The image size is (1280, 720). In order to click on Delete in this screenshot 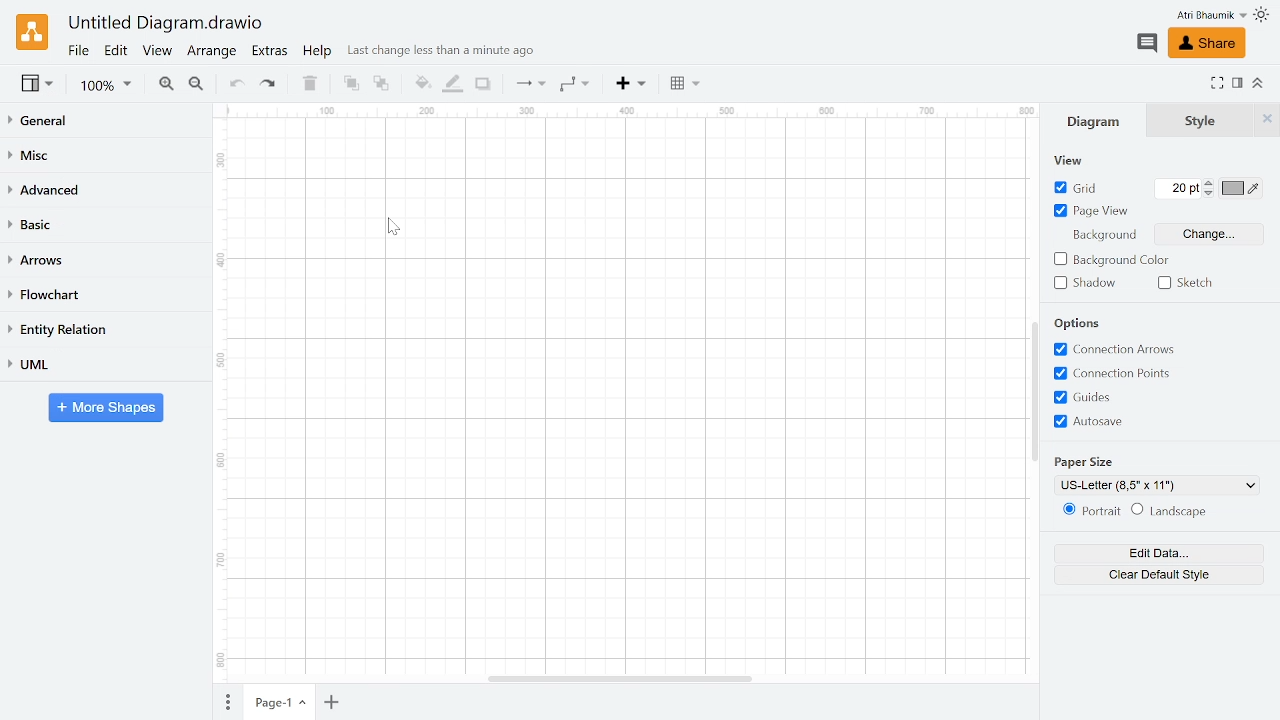, I will do `click(310, 85)`.